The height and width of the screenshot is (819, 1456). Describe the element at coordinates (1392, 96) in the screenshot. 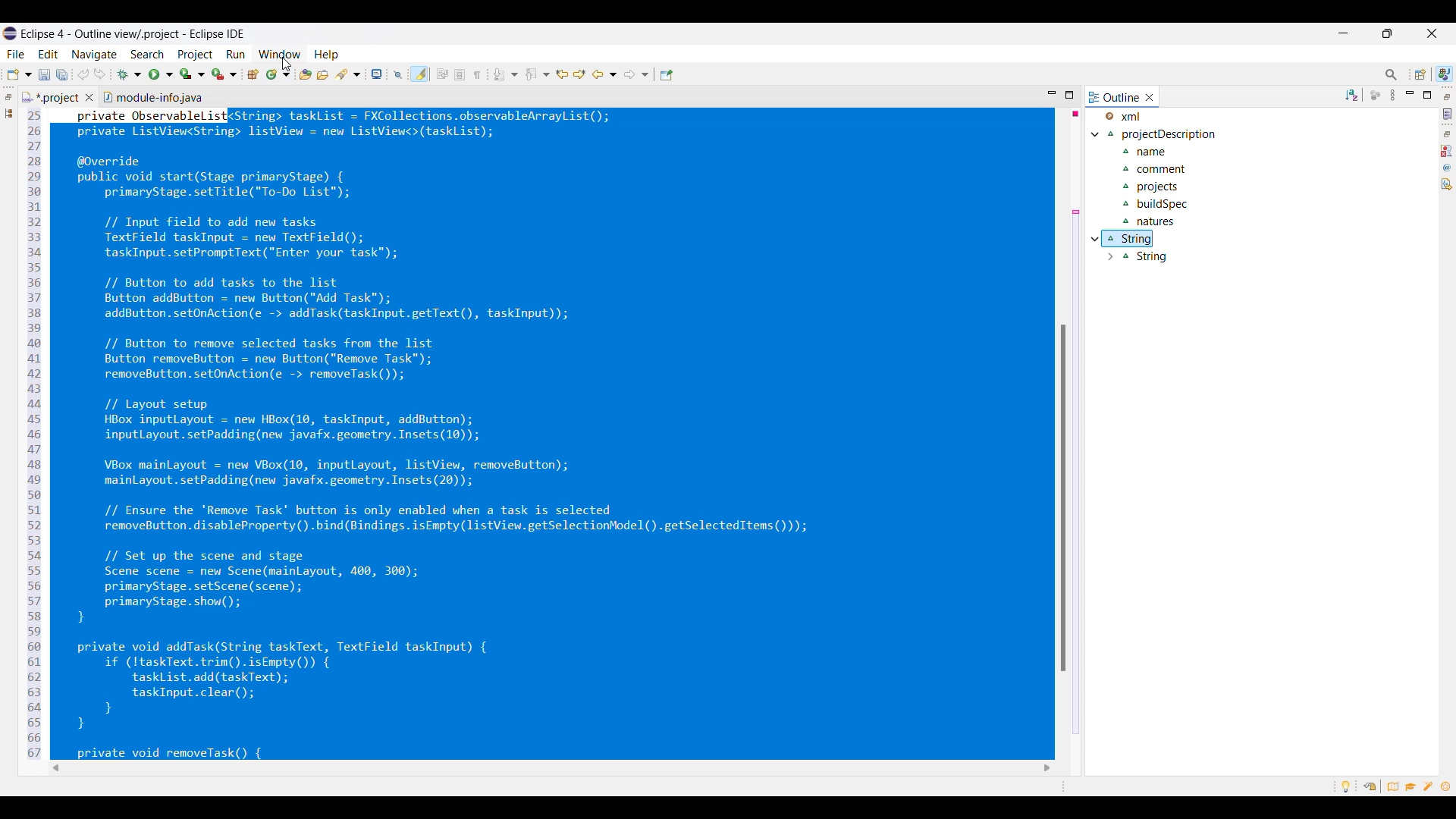

I see `View menu` at that location.